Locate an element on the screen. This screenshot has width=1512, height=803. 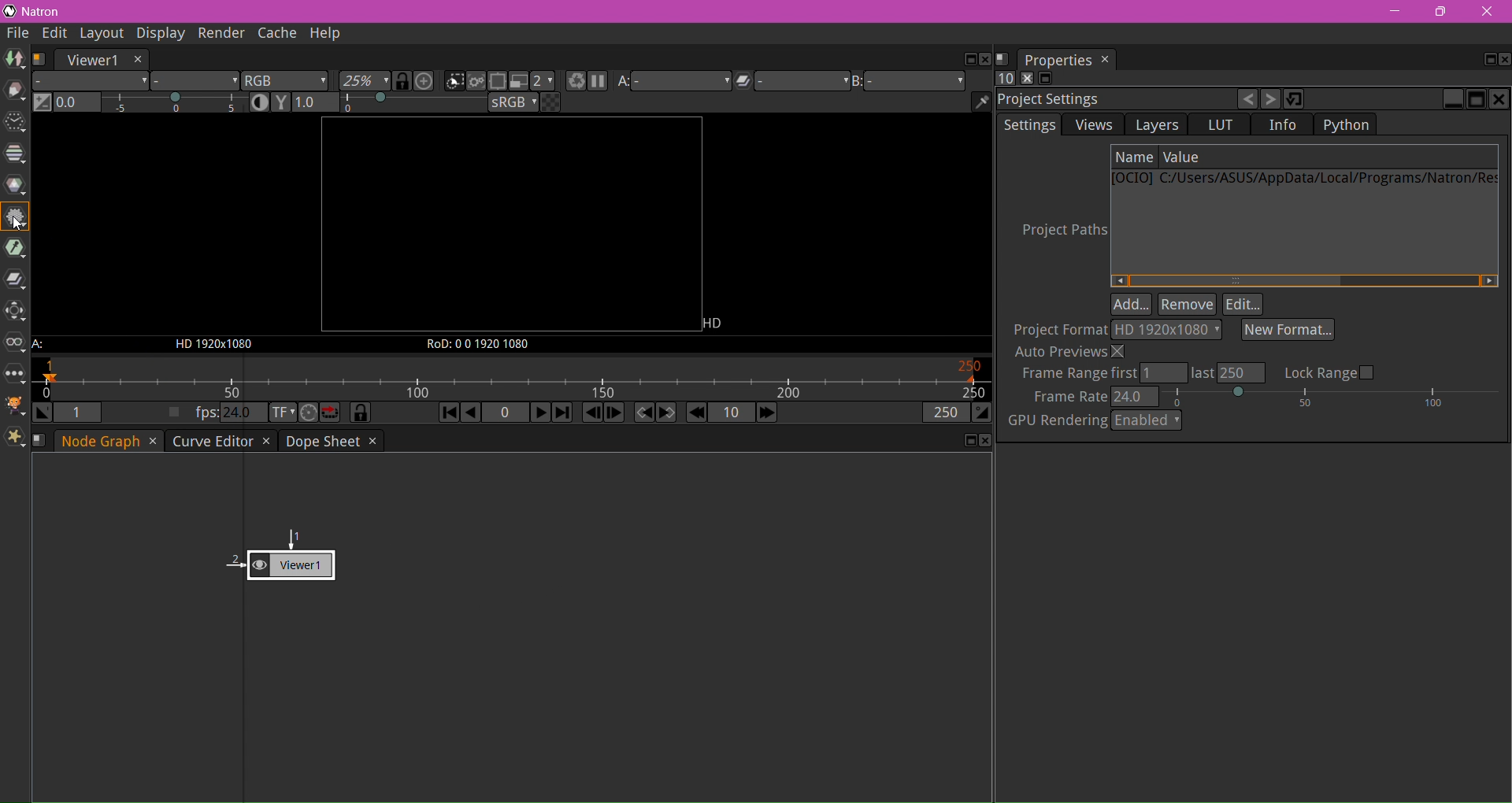
The playback frame is located at coordinates (510, 379).